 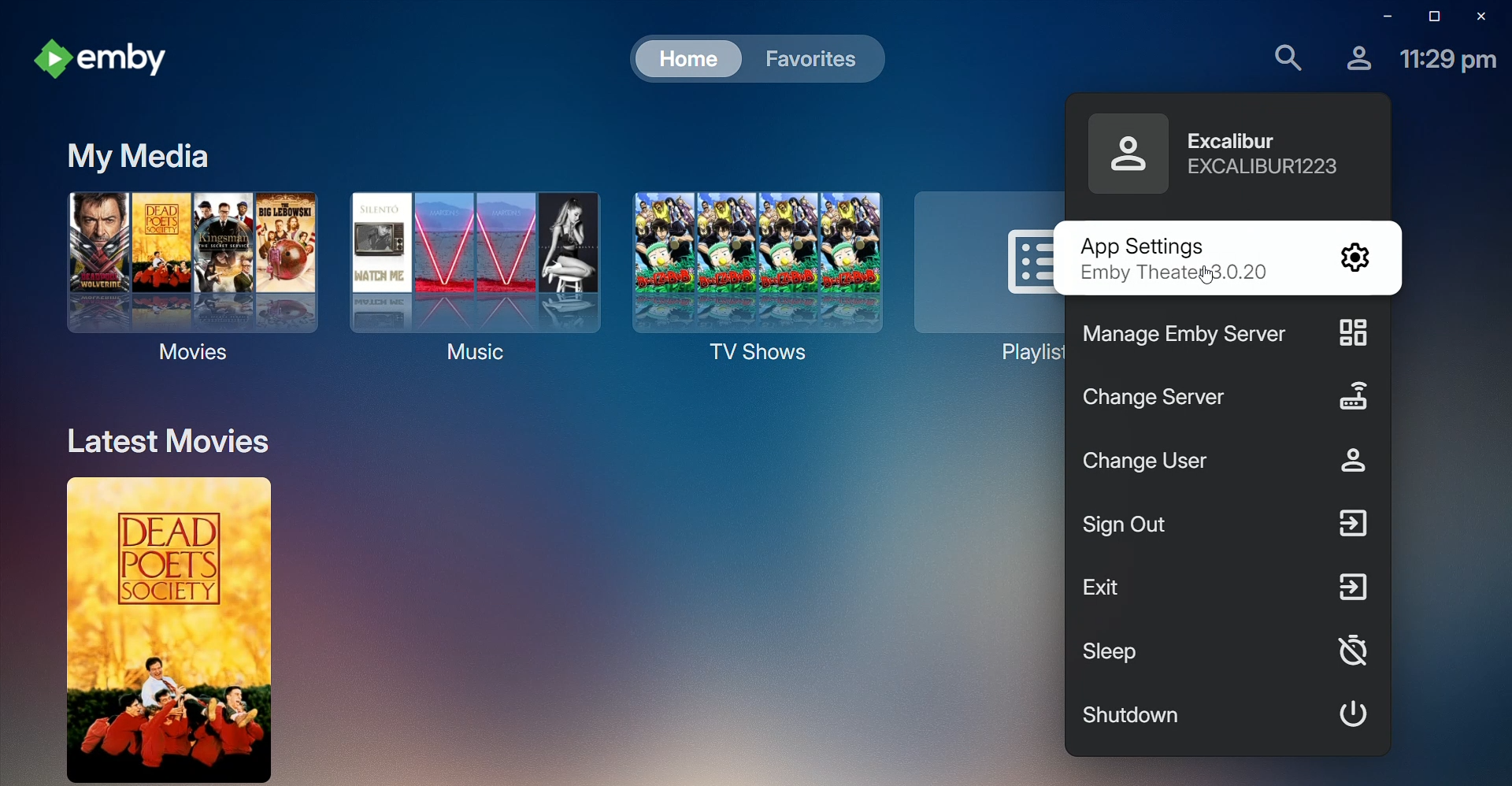 I want to click on Sign Out, so click(x=1230, y=529).